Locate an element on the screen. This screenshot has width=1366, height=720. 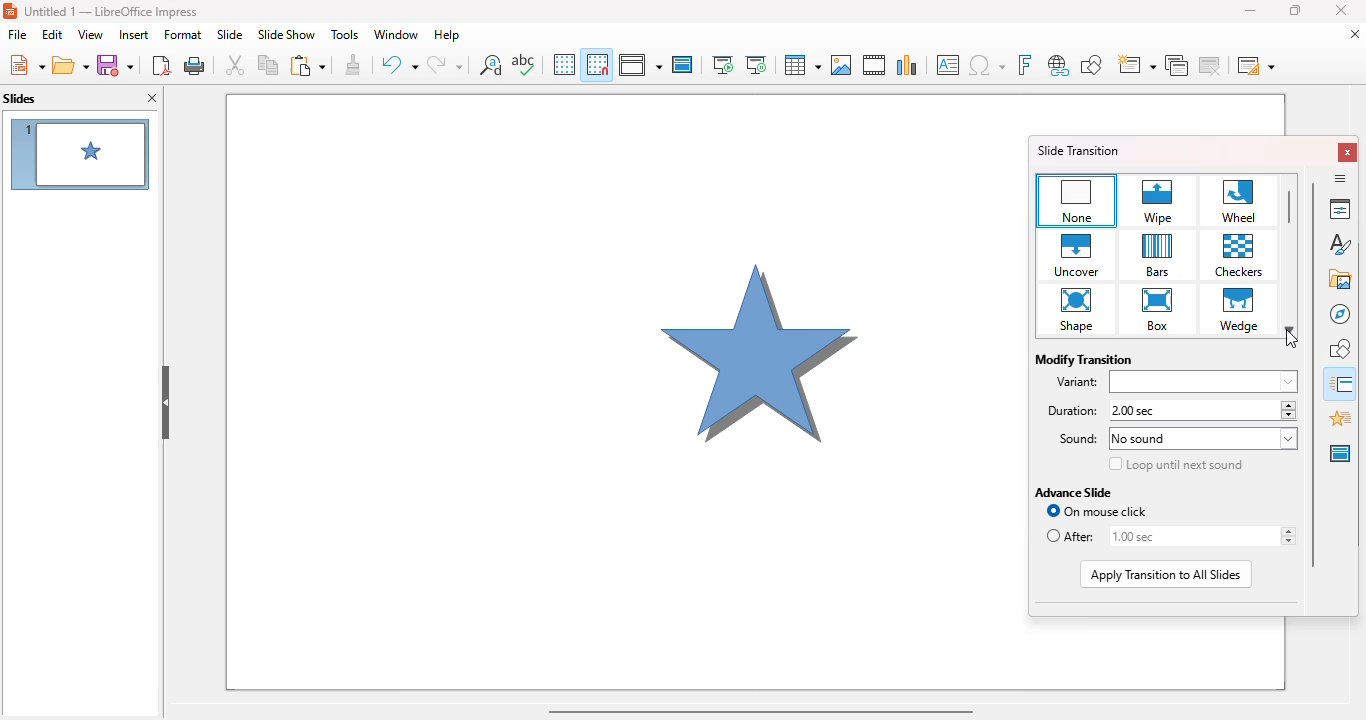
close is located at coordinates (1341, 10).